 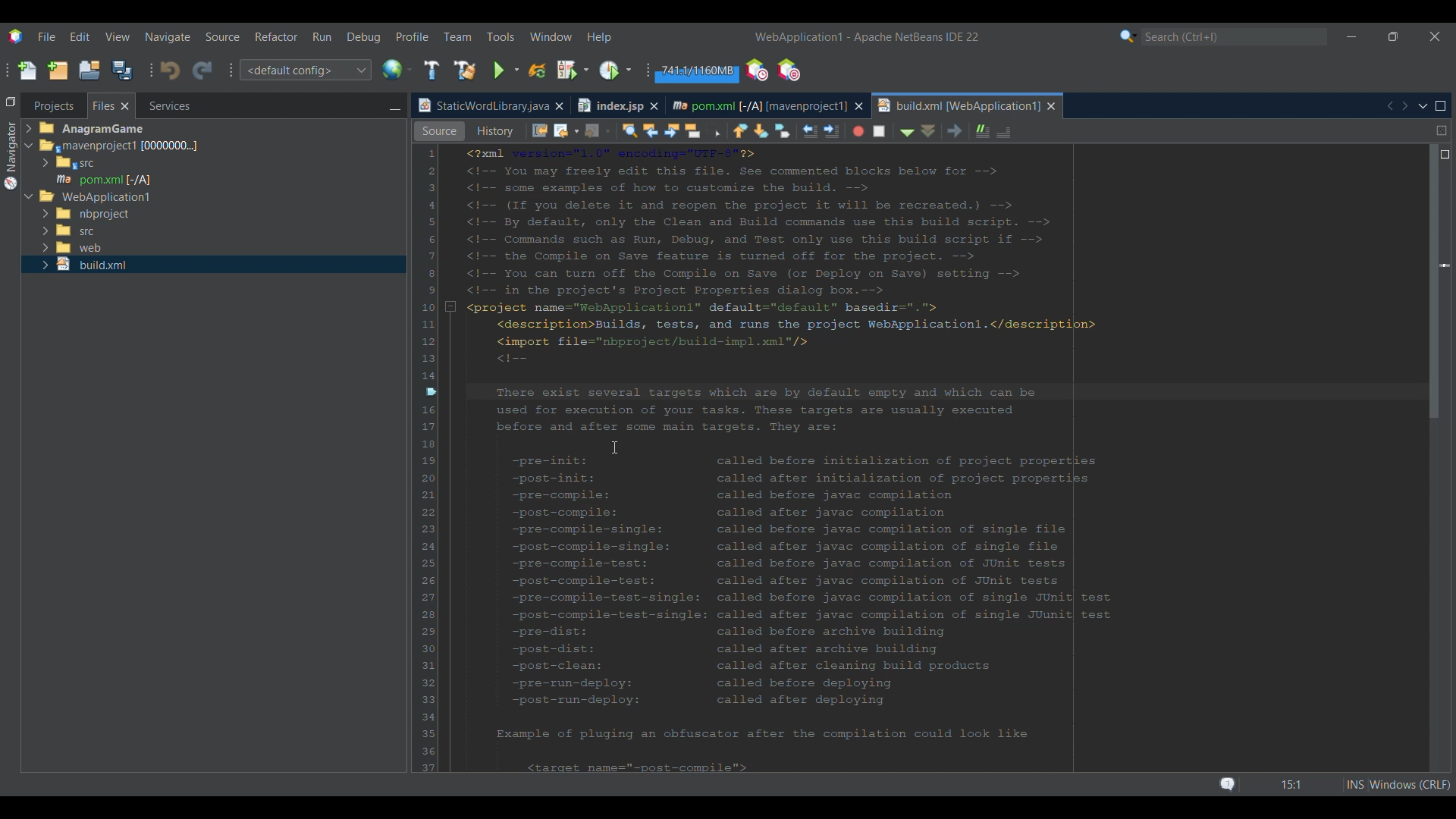 What do you see at coordinates (1393, 36) in the screenshot?
I see `Show in smaller tab` at bounding box center [1393, 36].